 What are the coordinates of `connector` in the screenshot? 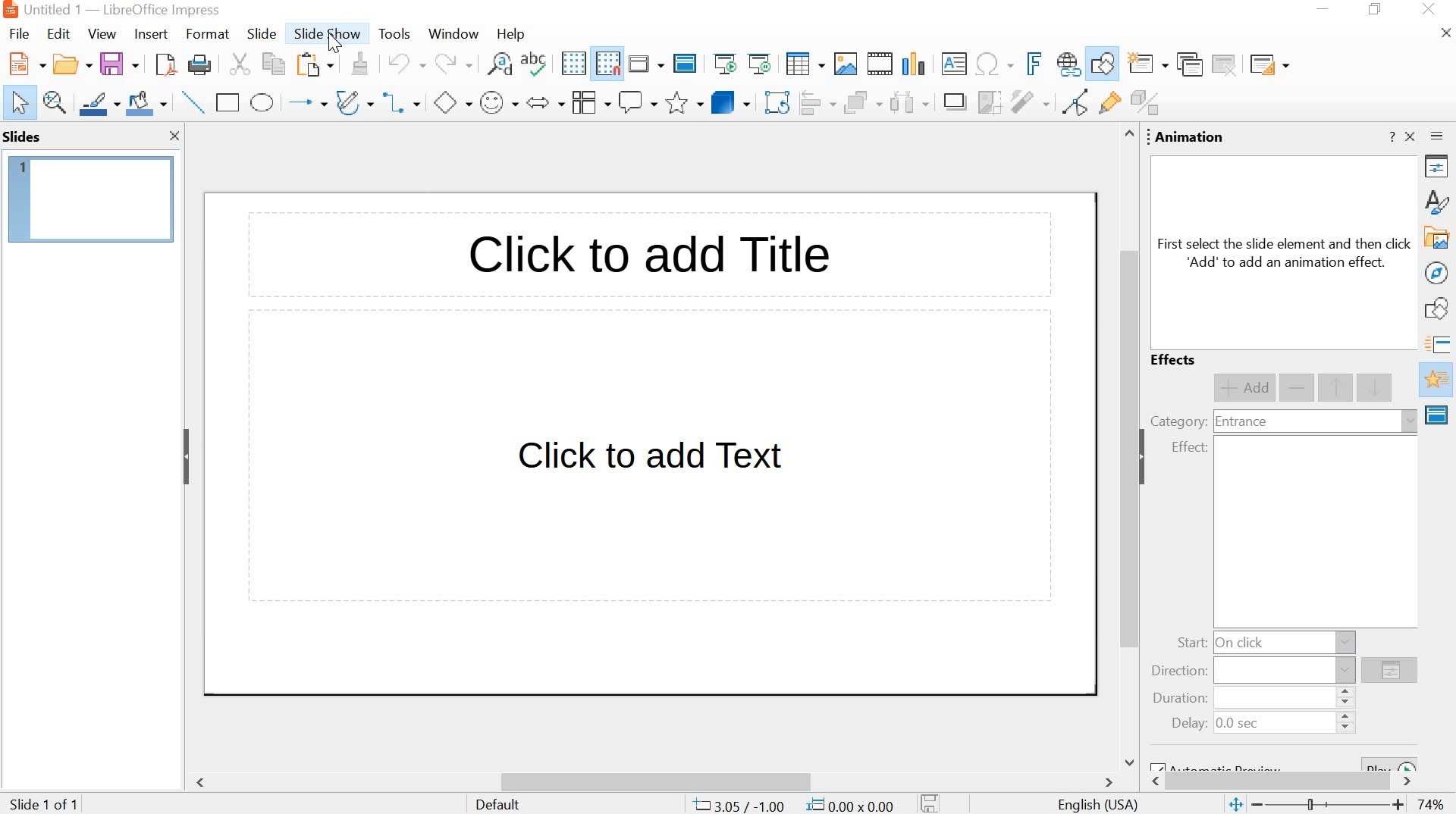 It's located at (402, 104).